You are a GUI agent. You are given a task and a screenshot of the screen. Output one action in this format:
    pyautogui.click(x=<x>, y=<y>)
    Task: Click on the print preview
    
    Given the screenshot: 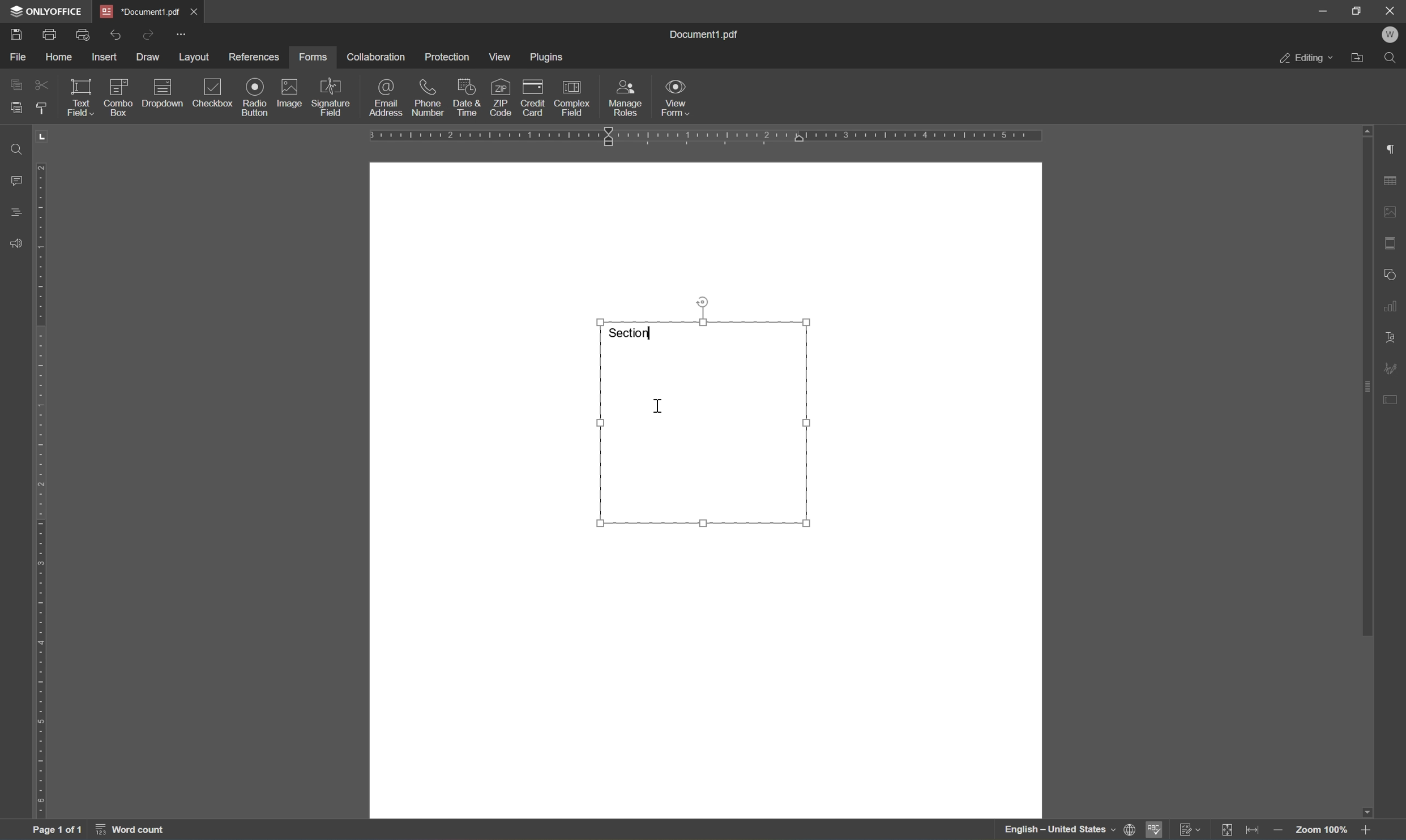 What is the action you would take?
    pyautogui.click(x=84, y=33)
    